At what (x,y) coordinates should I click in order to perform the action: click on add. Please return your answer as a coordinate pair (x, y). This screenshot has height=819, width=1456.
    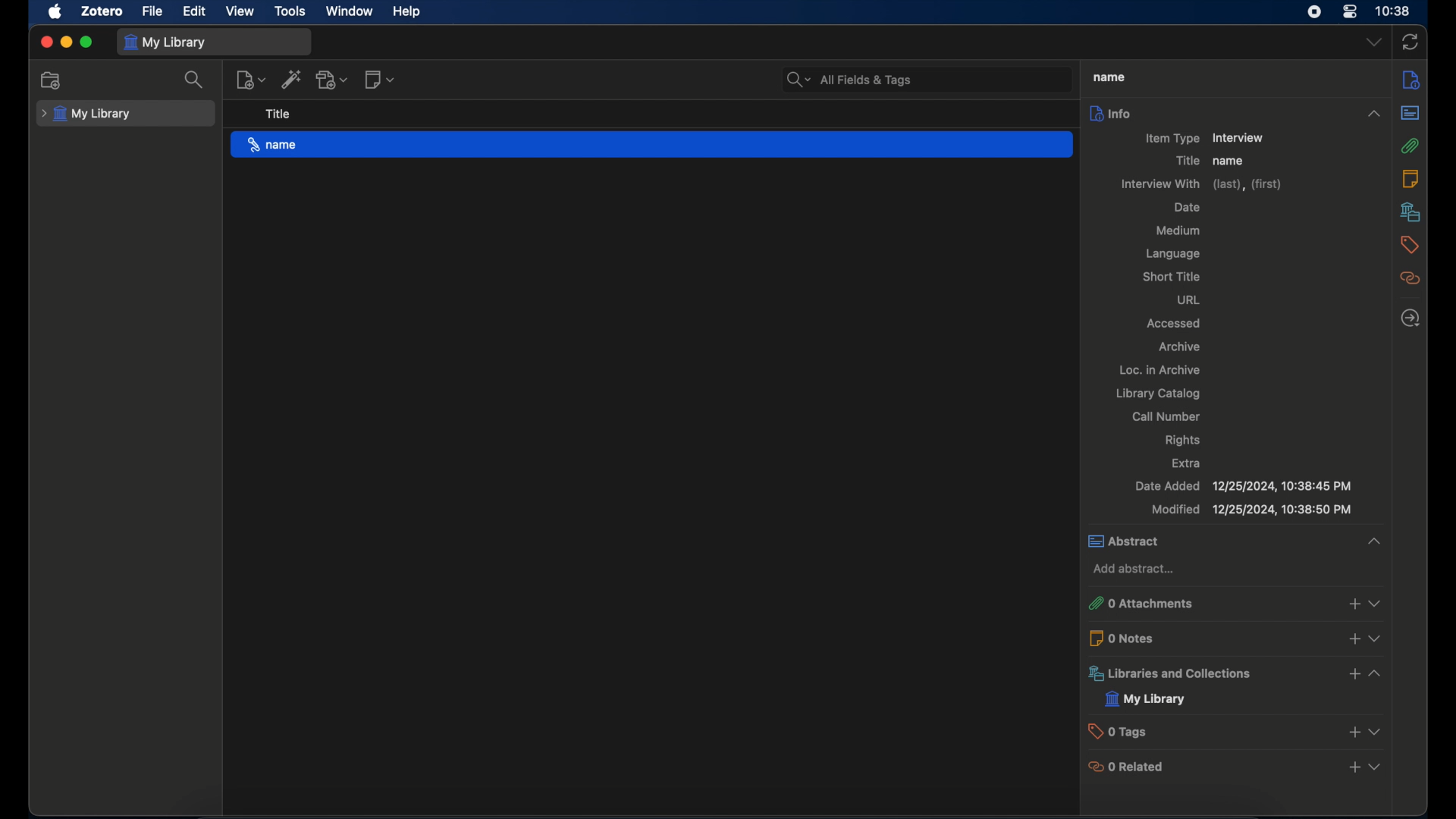
    Looking at the image, I should click on (1352, 604).